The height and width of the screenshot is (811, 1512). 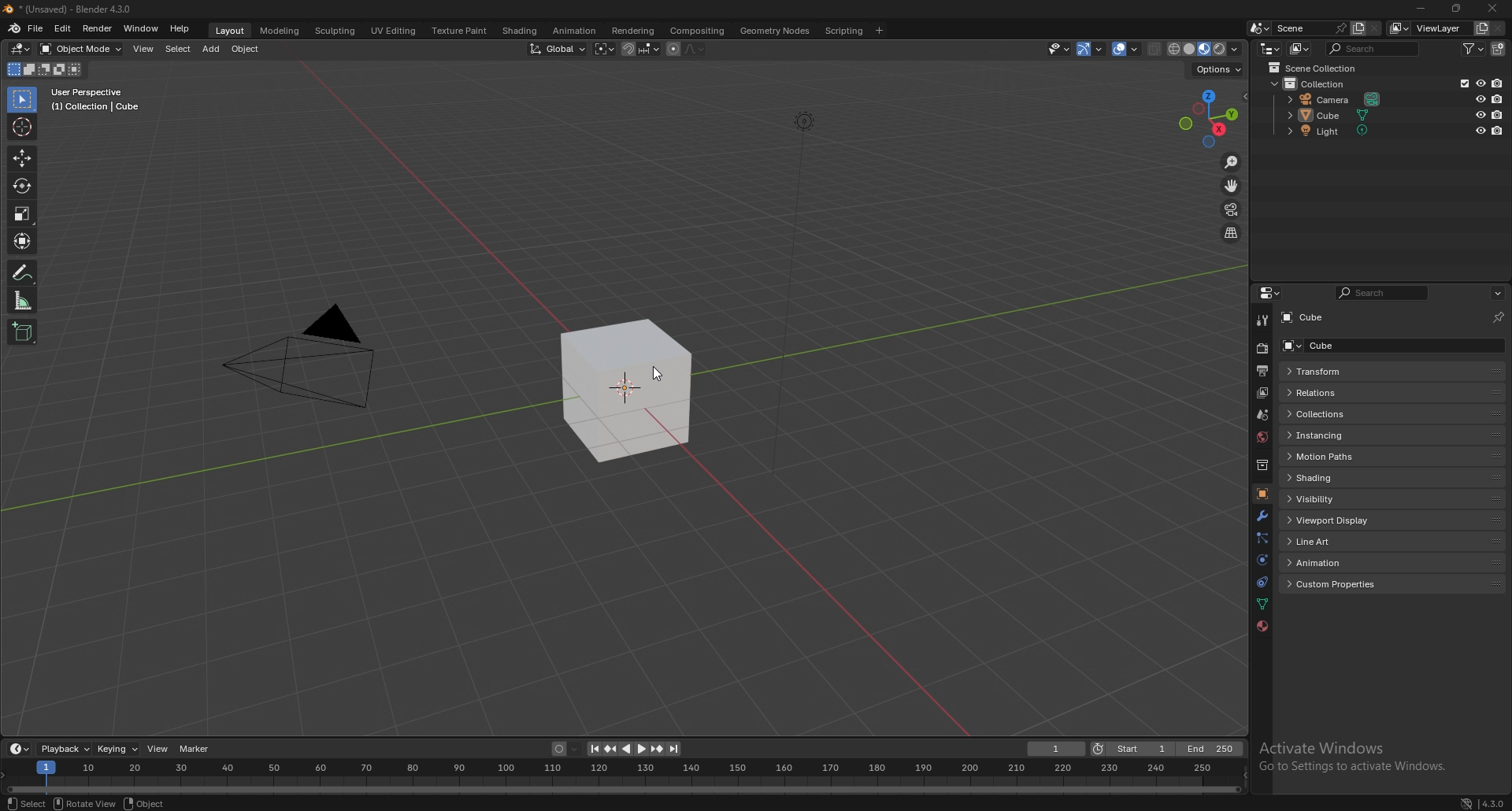 I want to click on disable in renders, so click(x=1497, y=114).